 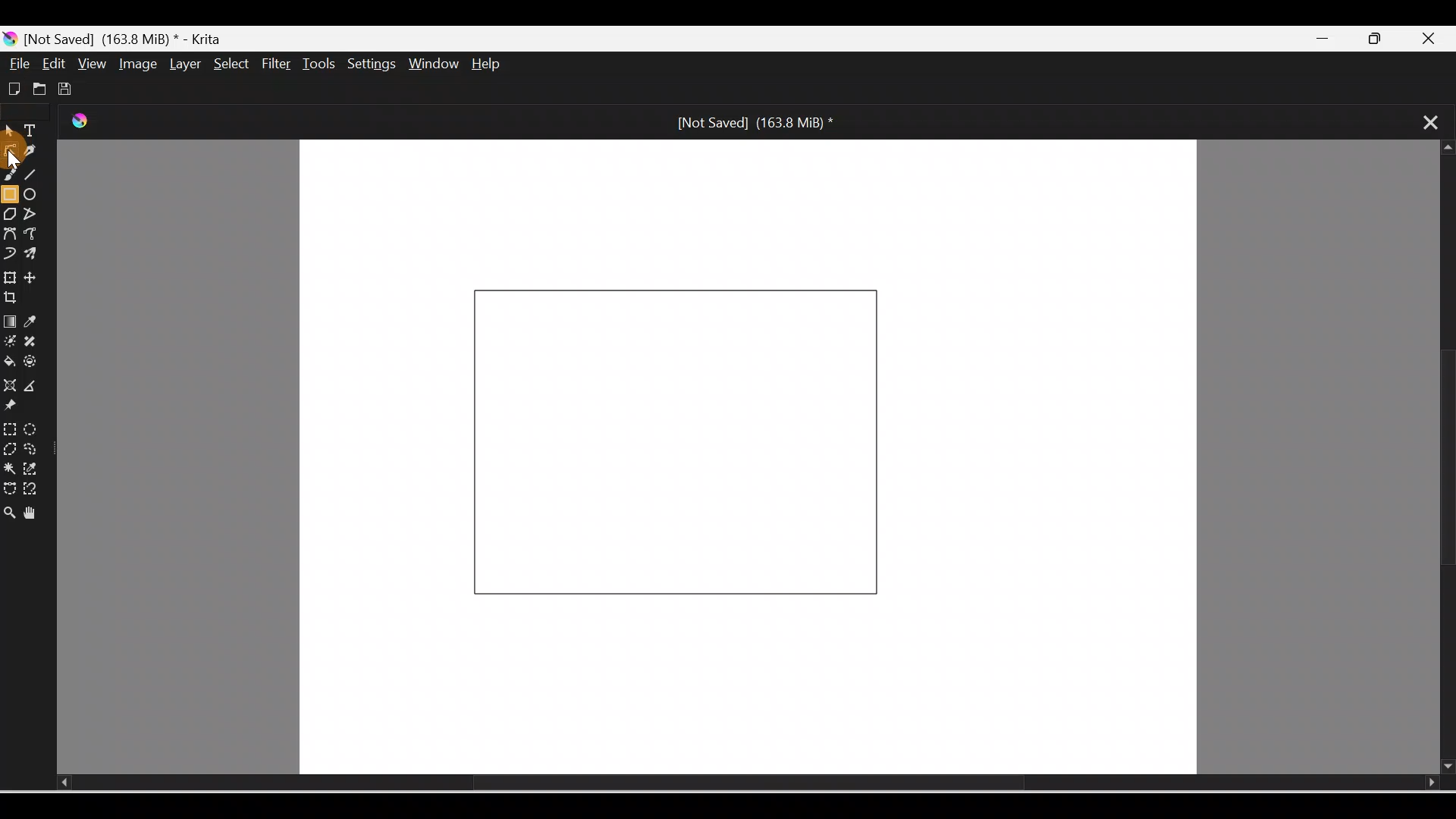 What do you see at coordinates (9, 214) in the screenshot?
I see `Polygon` at bounding box center [9, 214].